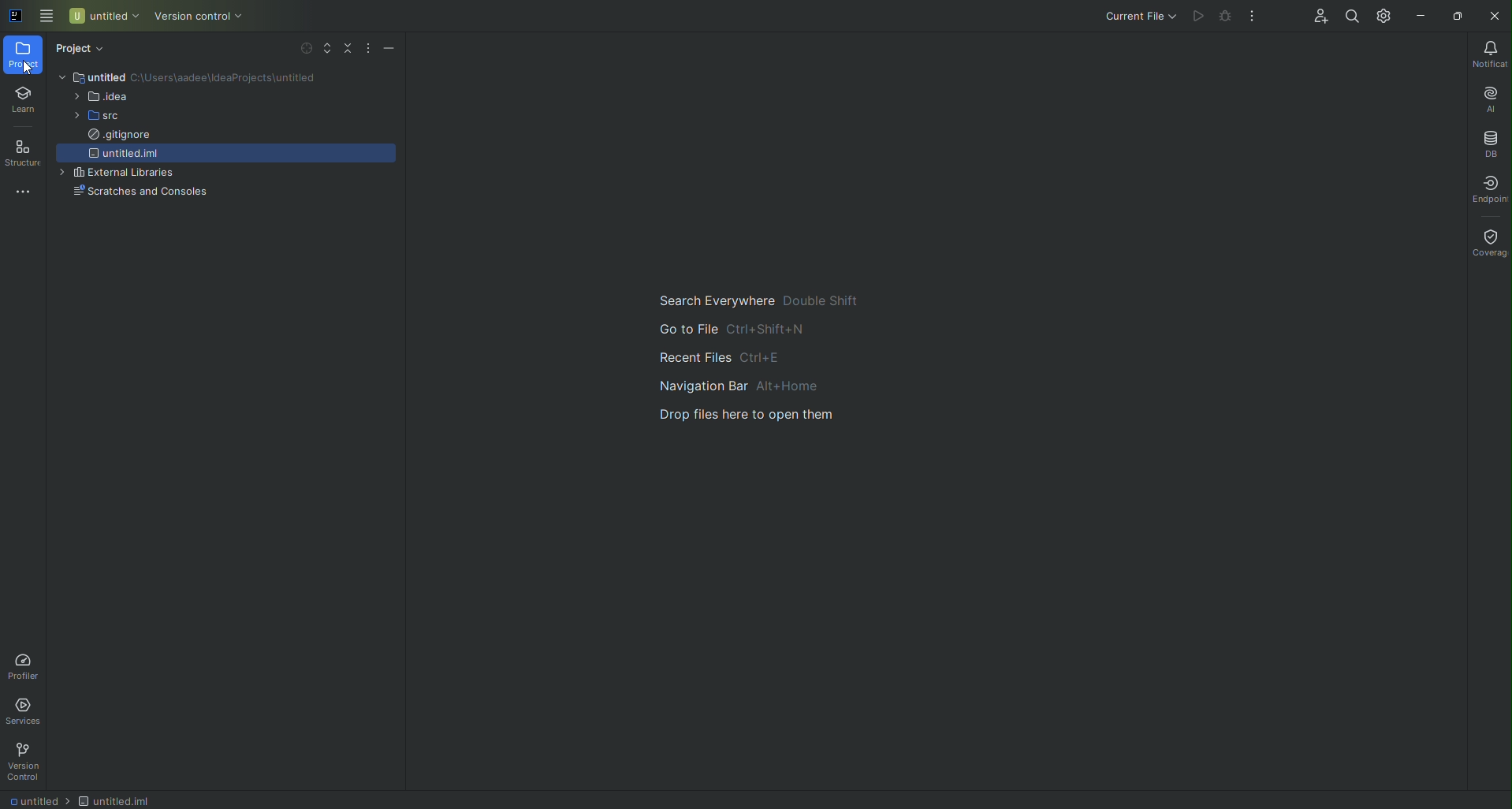 The width and height of the screenshot is (1512, 809). I want to click on Learn, so click(22, 101).